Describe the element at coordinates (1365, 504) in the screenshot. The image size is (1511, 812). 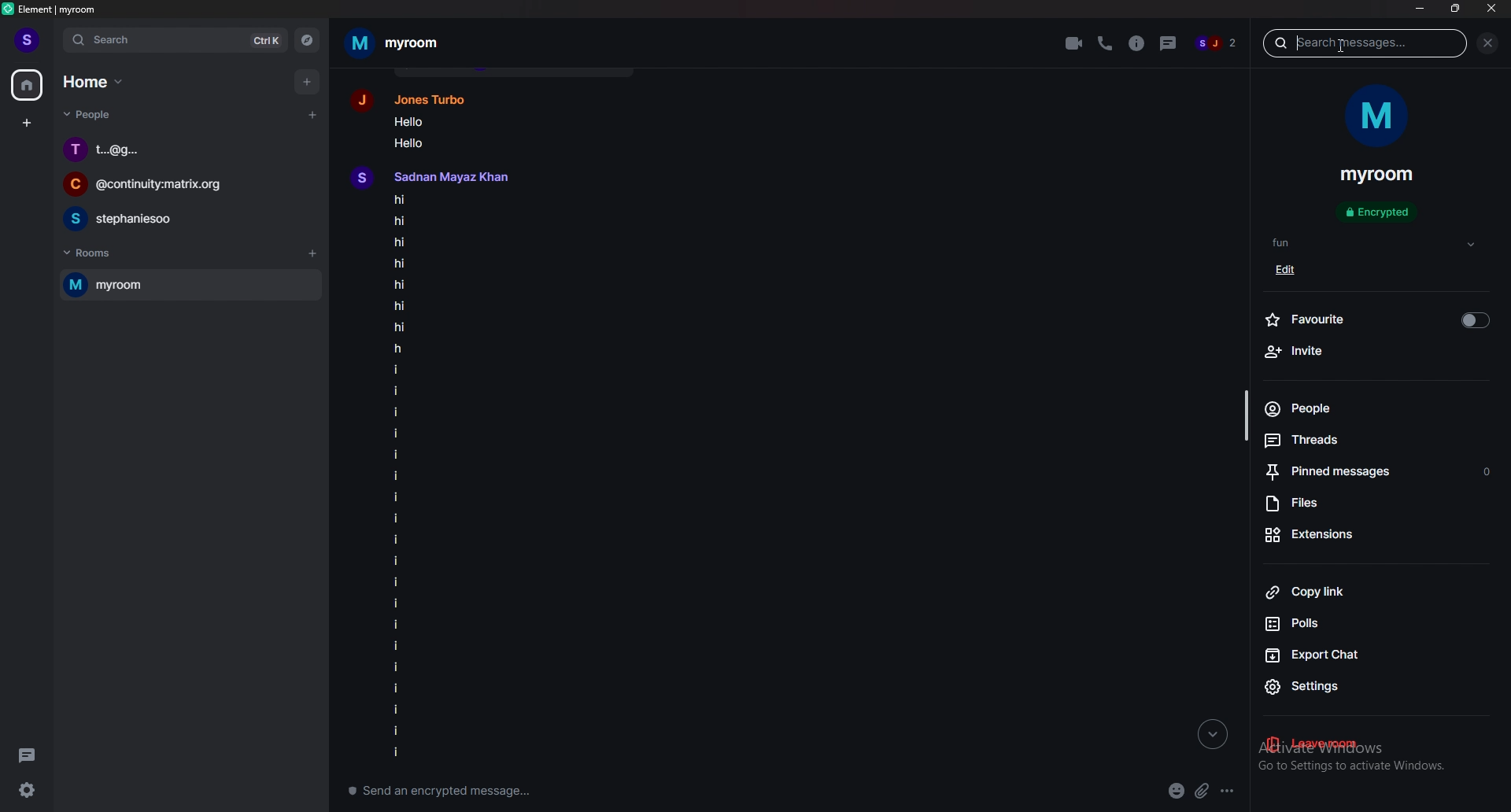
I see `files` at that location.